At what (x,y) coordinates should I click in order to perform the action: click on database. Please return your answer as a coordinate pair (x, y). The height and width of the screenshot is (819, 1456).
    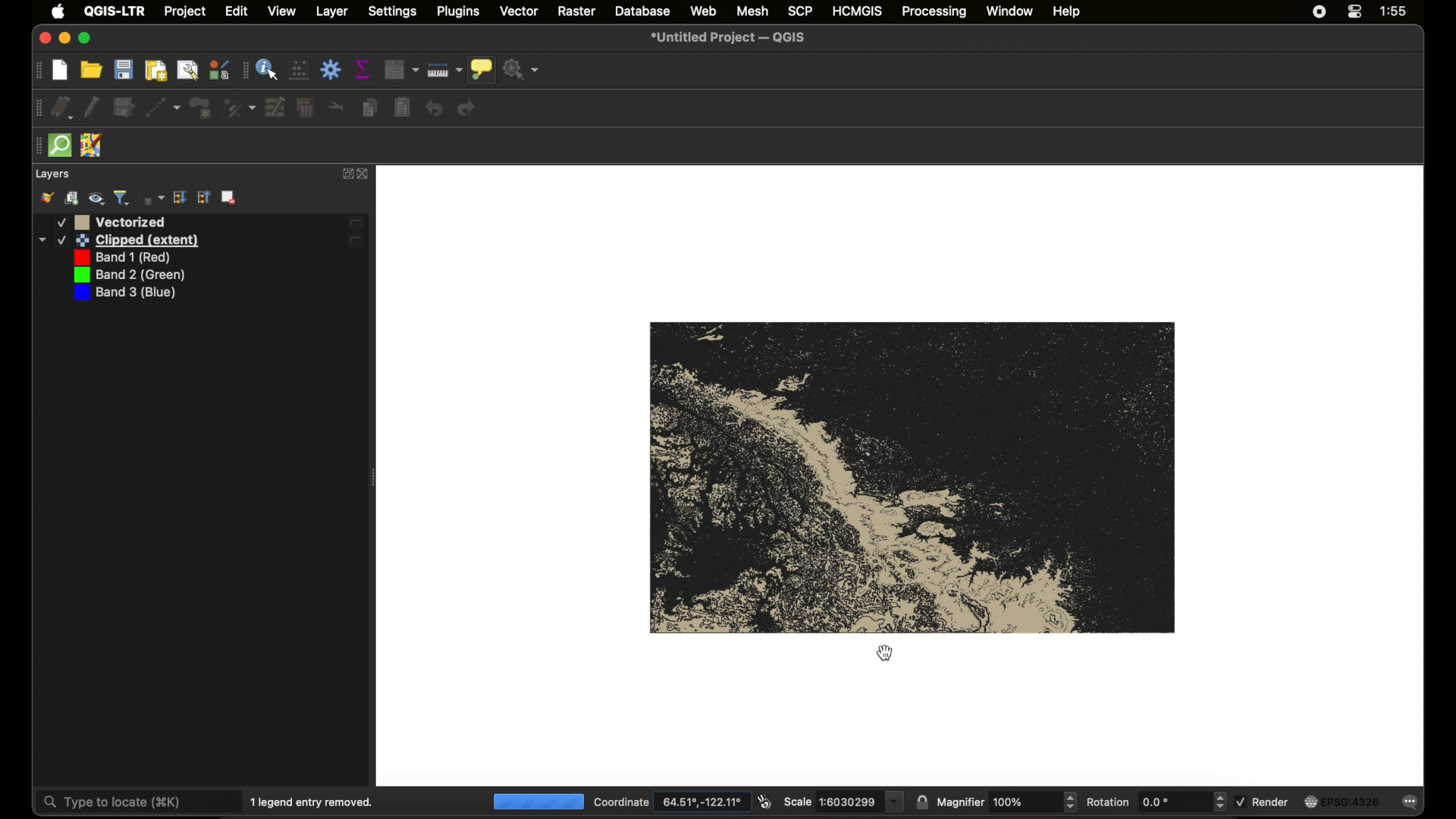
    Looking at the image, I should click on (642, 11).